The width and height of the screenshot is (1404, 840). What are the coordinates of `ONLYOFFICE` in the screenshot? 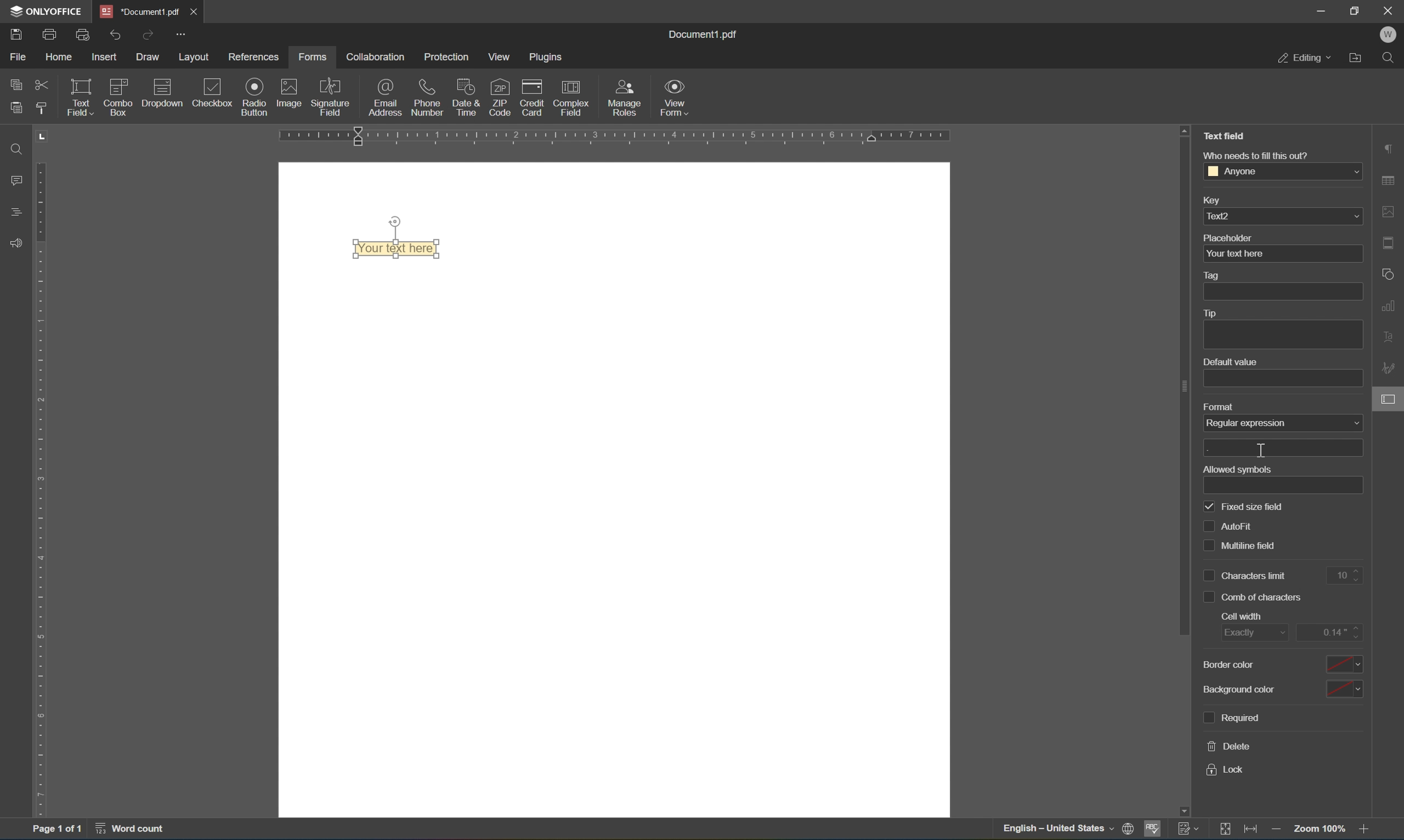 It's located at (48, 11).